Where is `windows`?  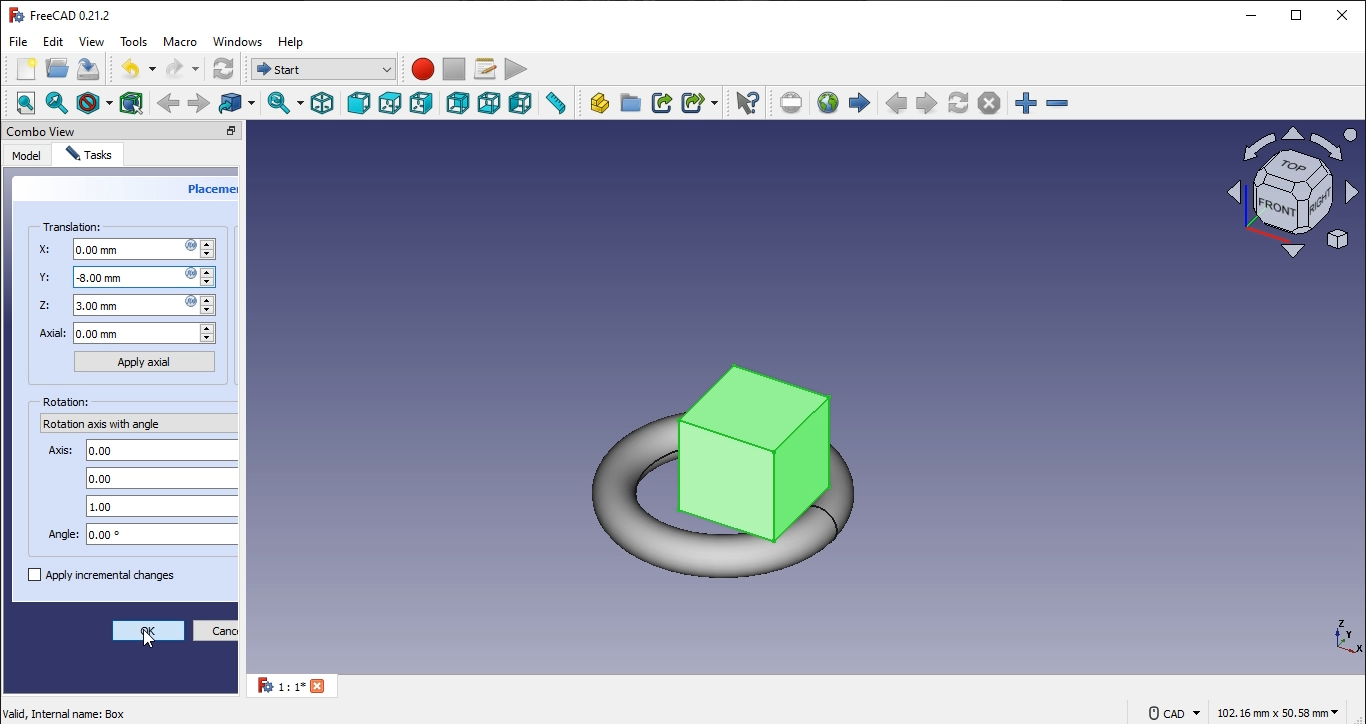 windows is located at coordinates (239, 43).